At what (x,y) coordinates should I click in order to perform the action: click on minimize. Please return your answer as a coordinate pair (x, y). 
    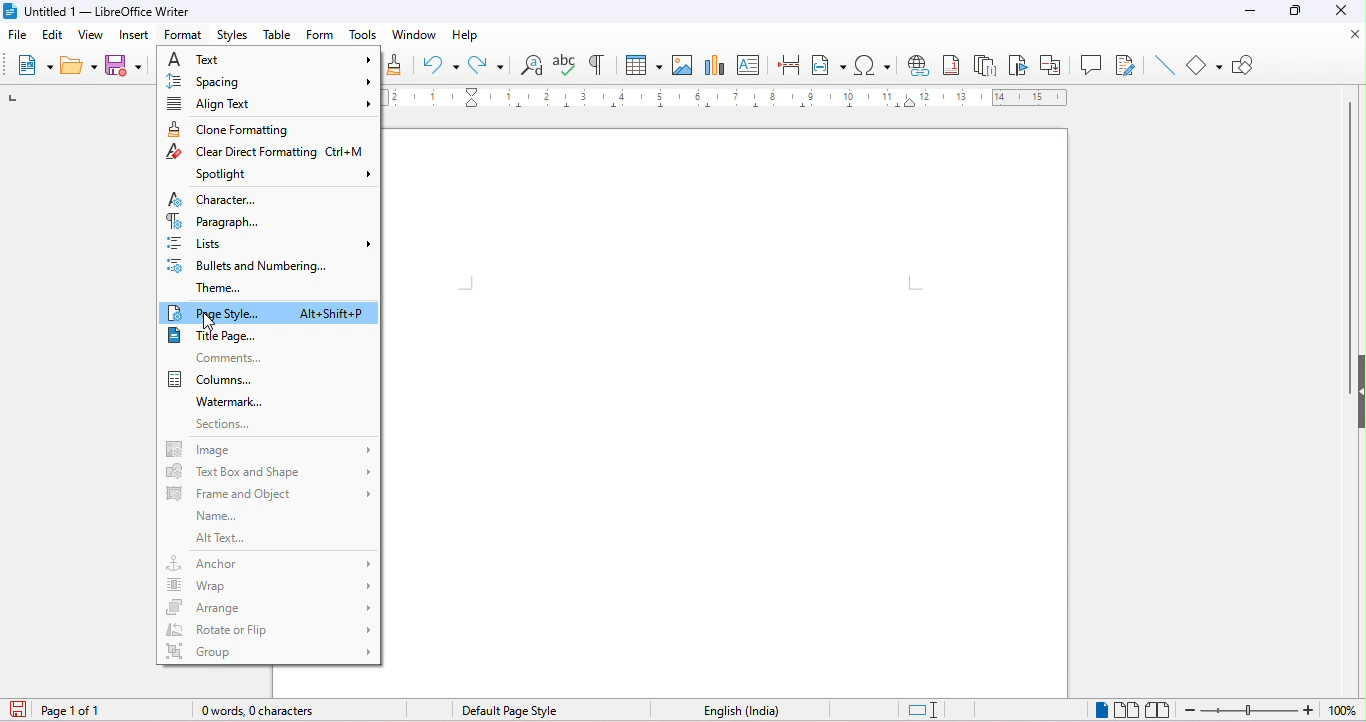
    Looking at the image, I should click on (1243, 8).